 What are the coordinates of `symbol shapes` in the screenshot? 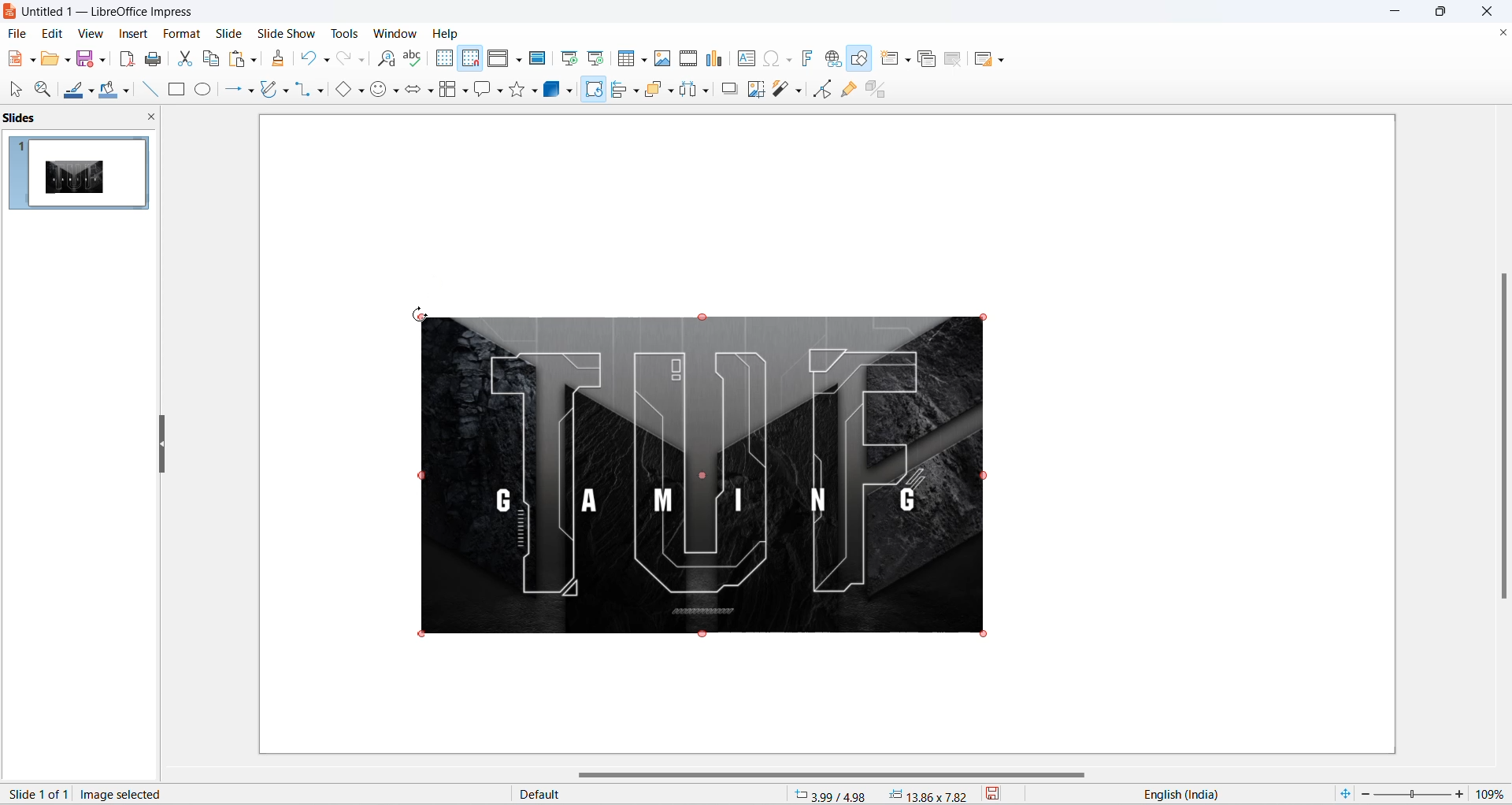 It's located at (380, 92).